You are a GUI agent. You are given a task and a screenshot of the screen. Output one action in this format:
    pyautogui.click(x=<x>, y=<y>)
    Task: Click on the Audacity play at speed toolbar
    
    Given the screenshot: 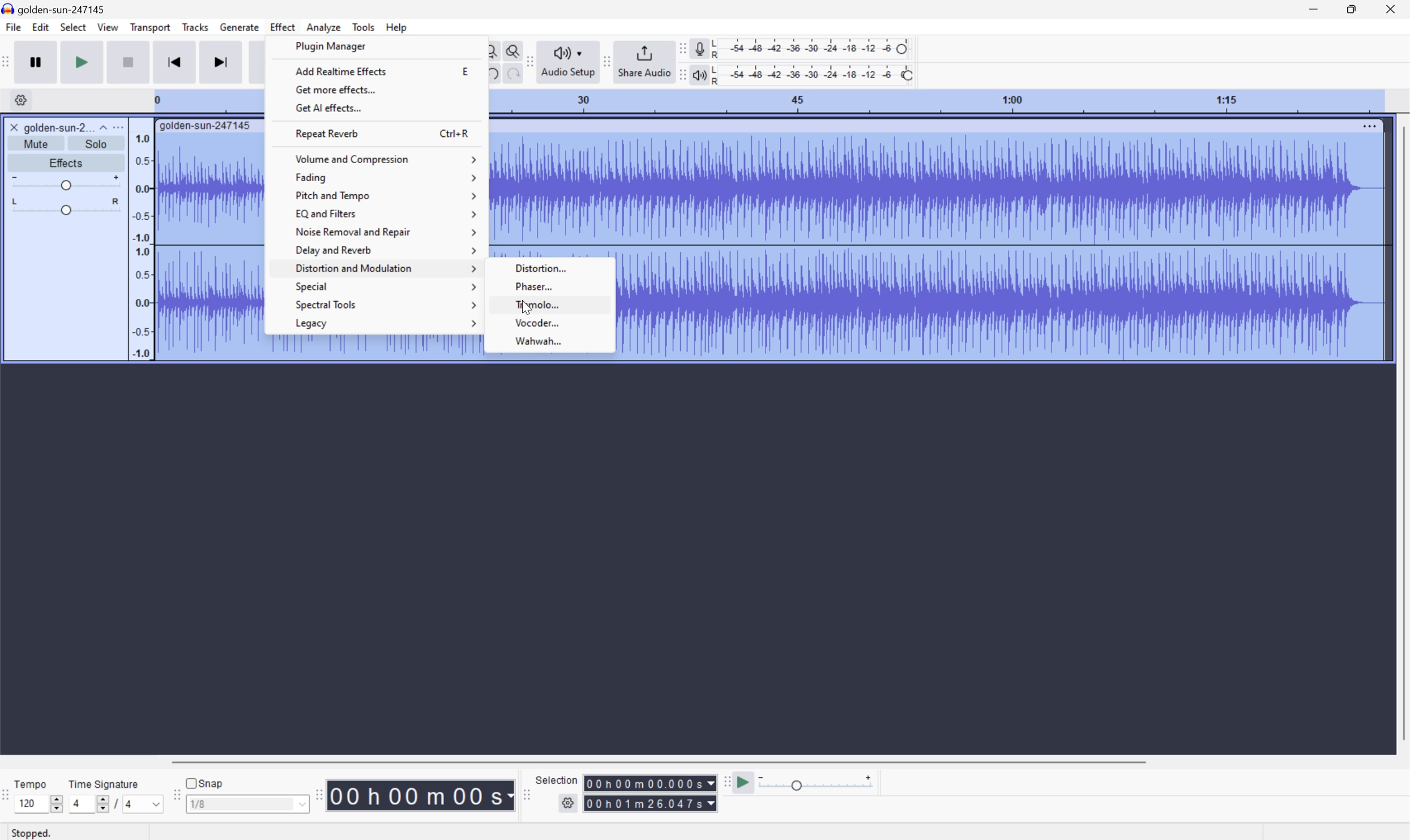 What is the action you would take?
    pyautogui.click(x=725, y=780)
    